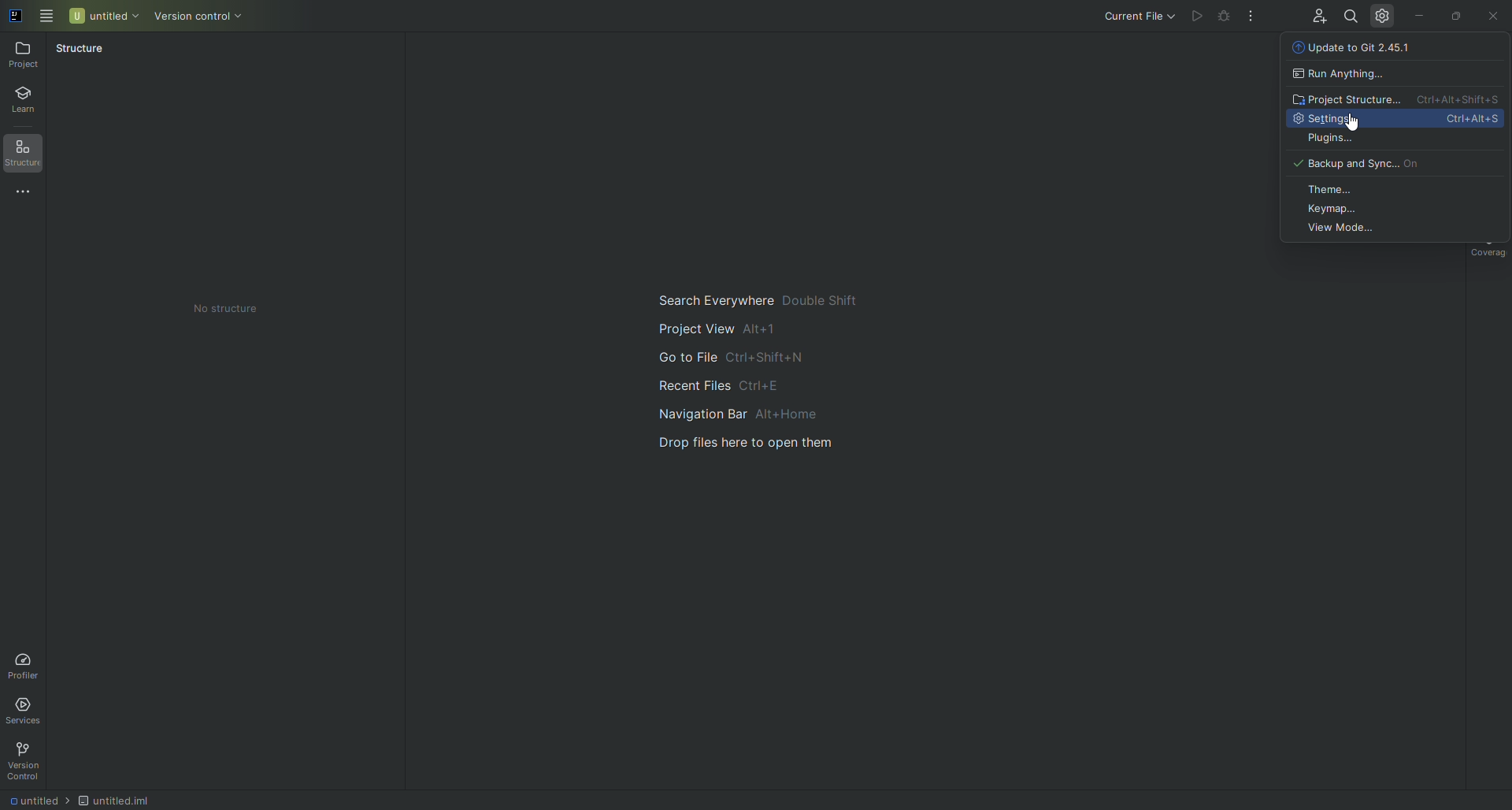 This screenshot has width=1512, height=810. Describe the element at coordinates (1396, 50) in the screenshot. I see `Update` at that location.